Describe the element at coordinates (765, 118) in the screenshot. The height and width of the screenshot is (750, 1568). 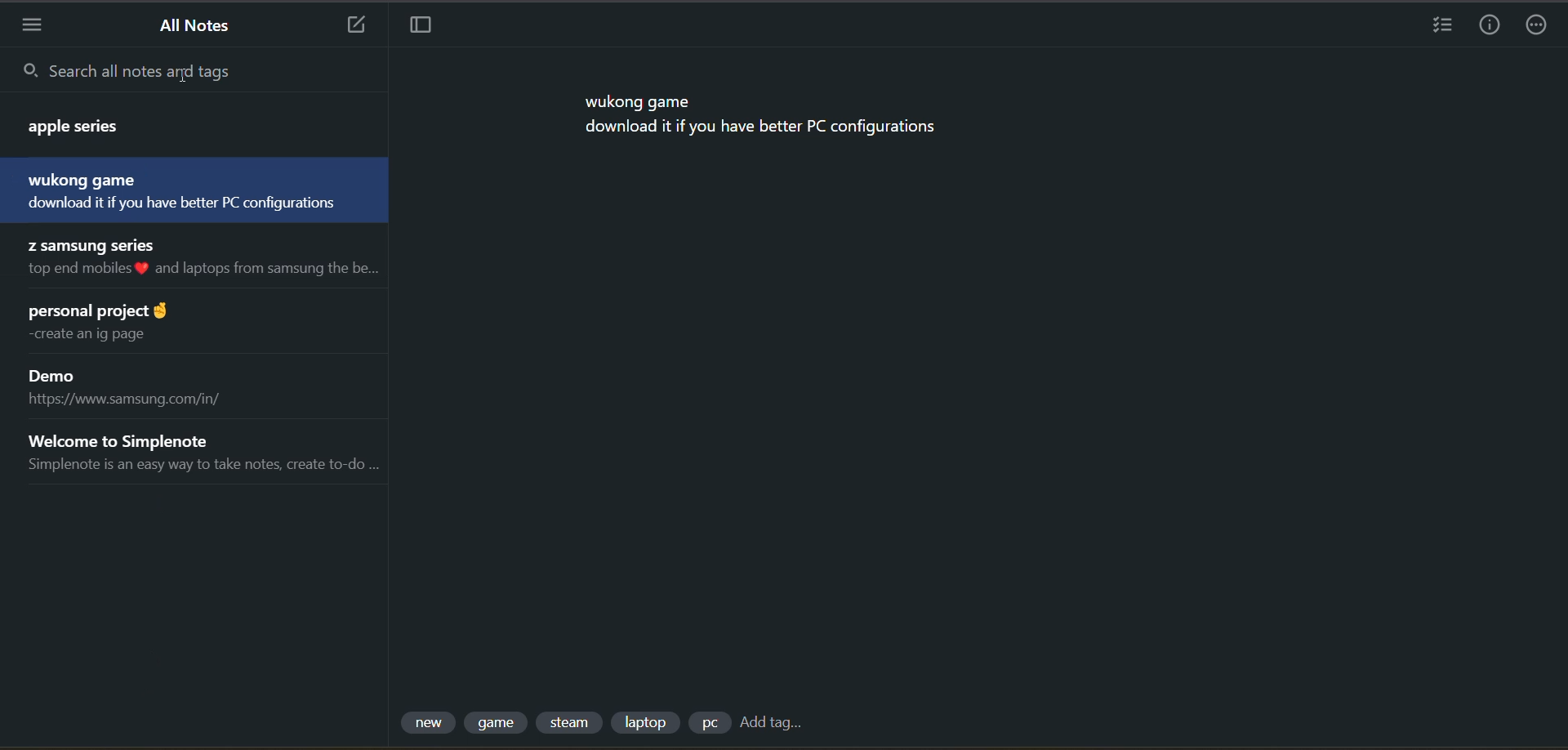
I see `data from current note` at that location.